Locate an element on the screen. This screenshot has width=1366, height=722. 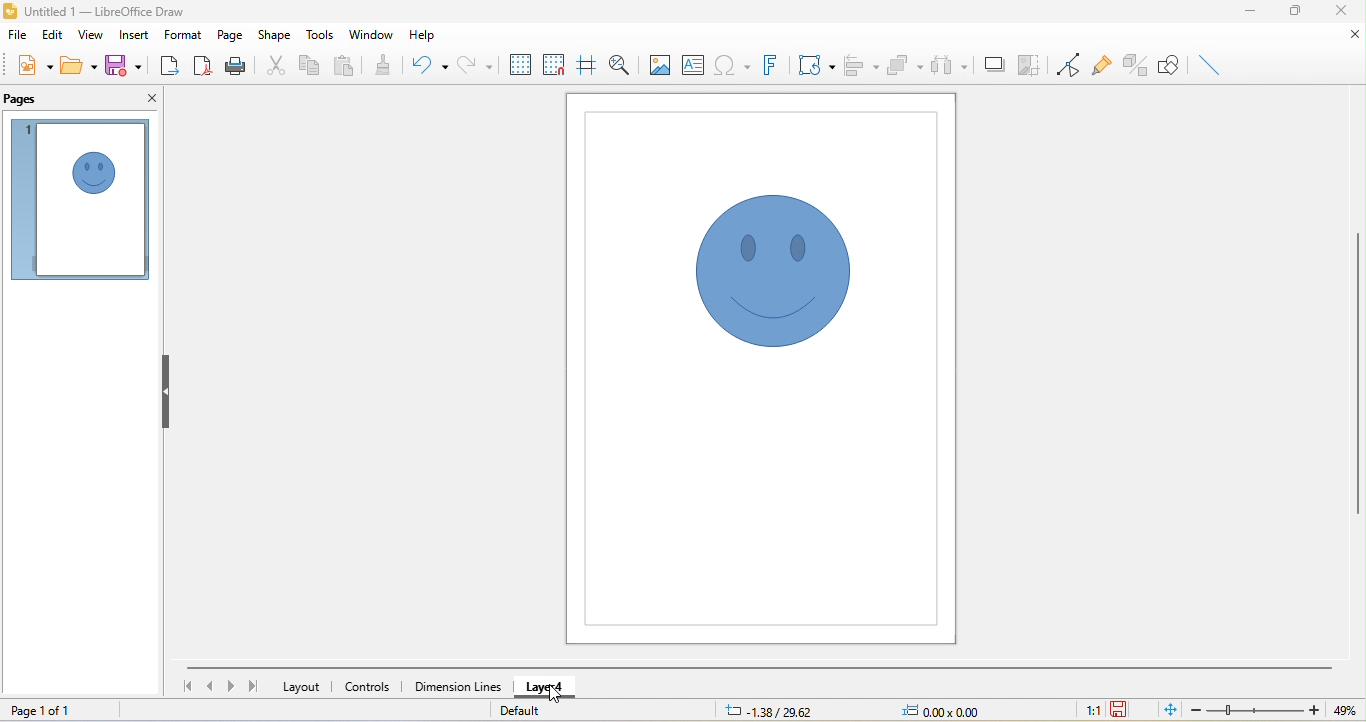
arrange is located at coordinates (906, 65).